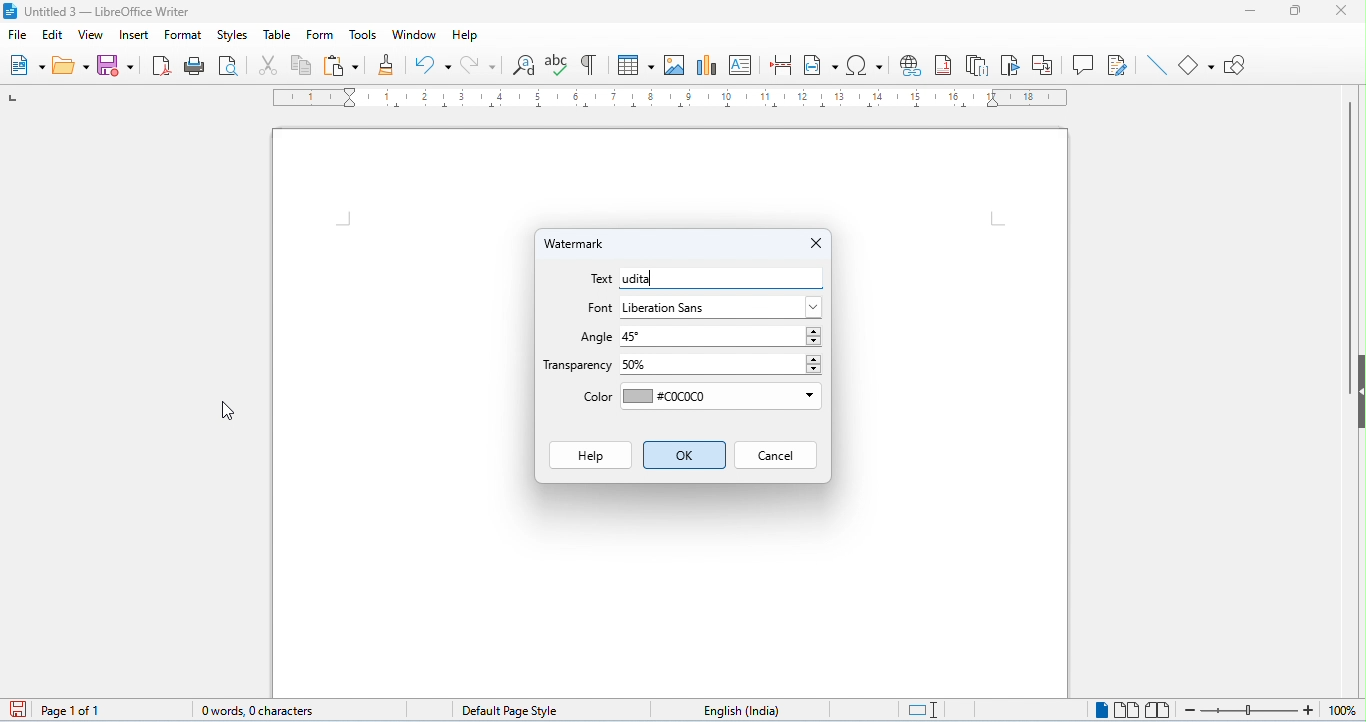 This screenshot has height=722, width=1366. I want to click on window, so click(417, 35).